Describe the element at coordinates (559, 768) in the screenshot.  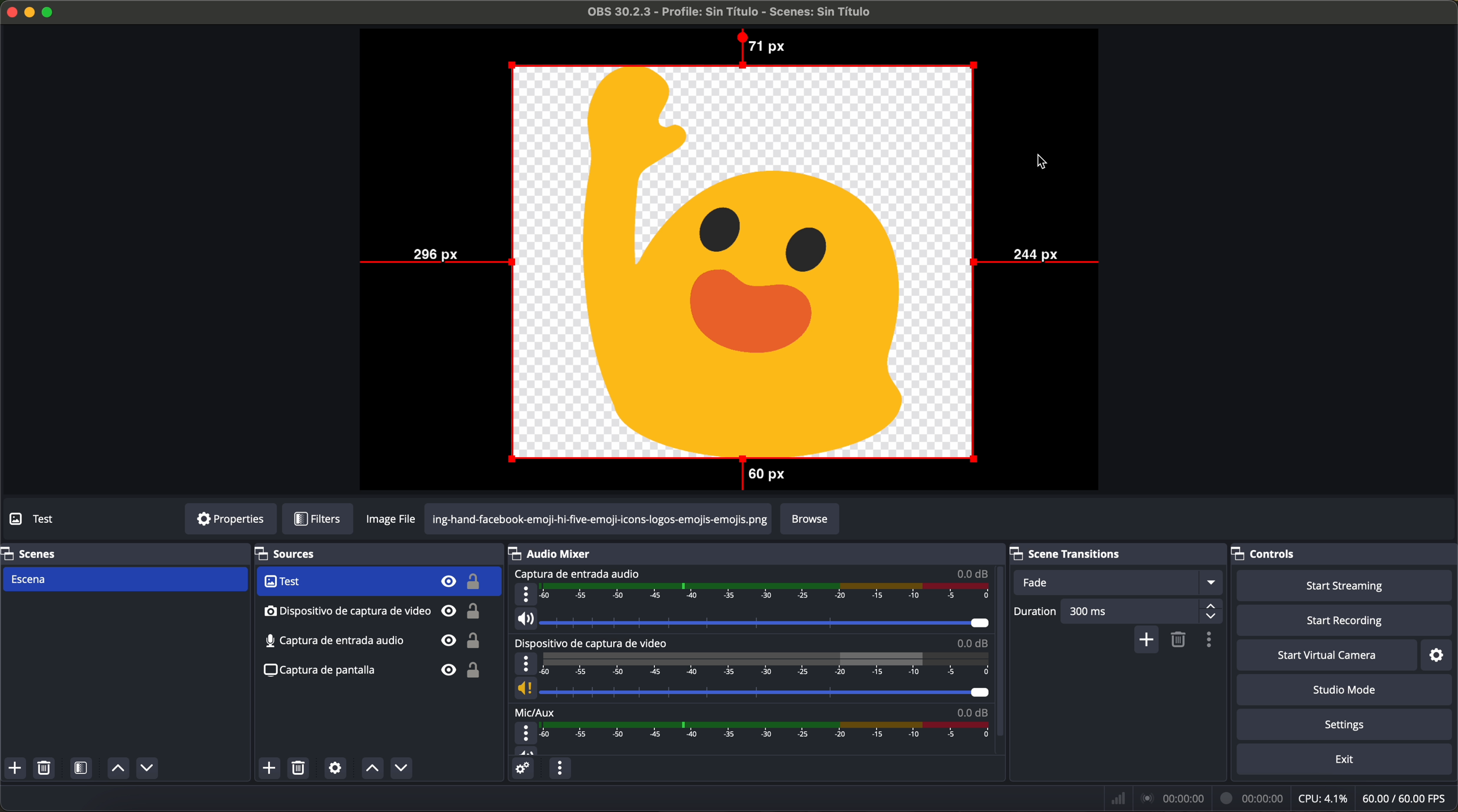
I see `audio mixer menu` at that location.